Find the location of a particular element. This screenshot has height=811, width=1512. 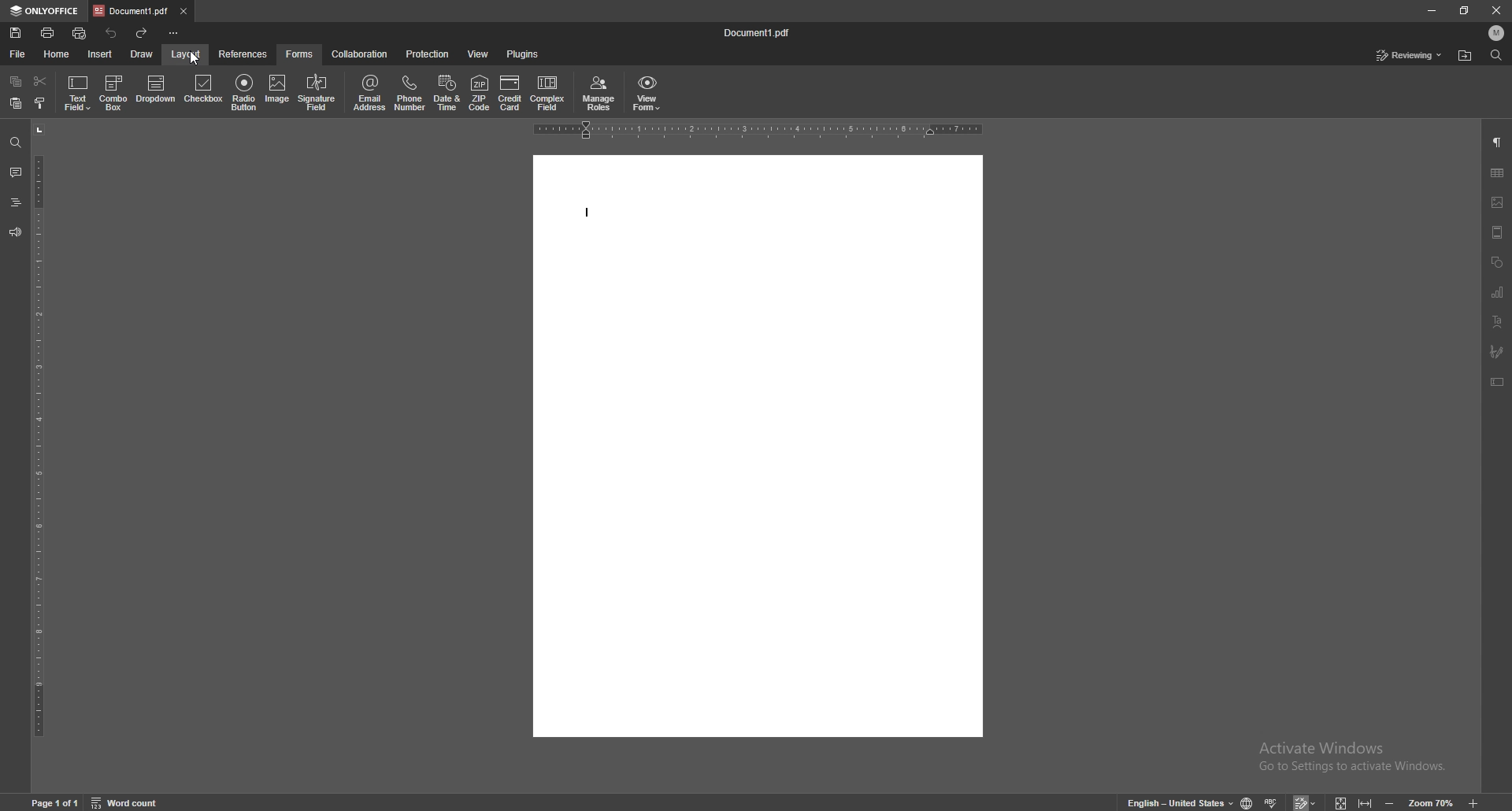

references is located at coordinates (243, 53).